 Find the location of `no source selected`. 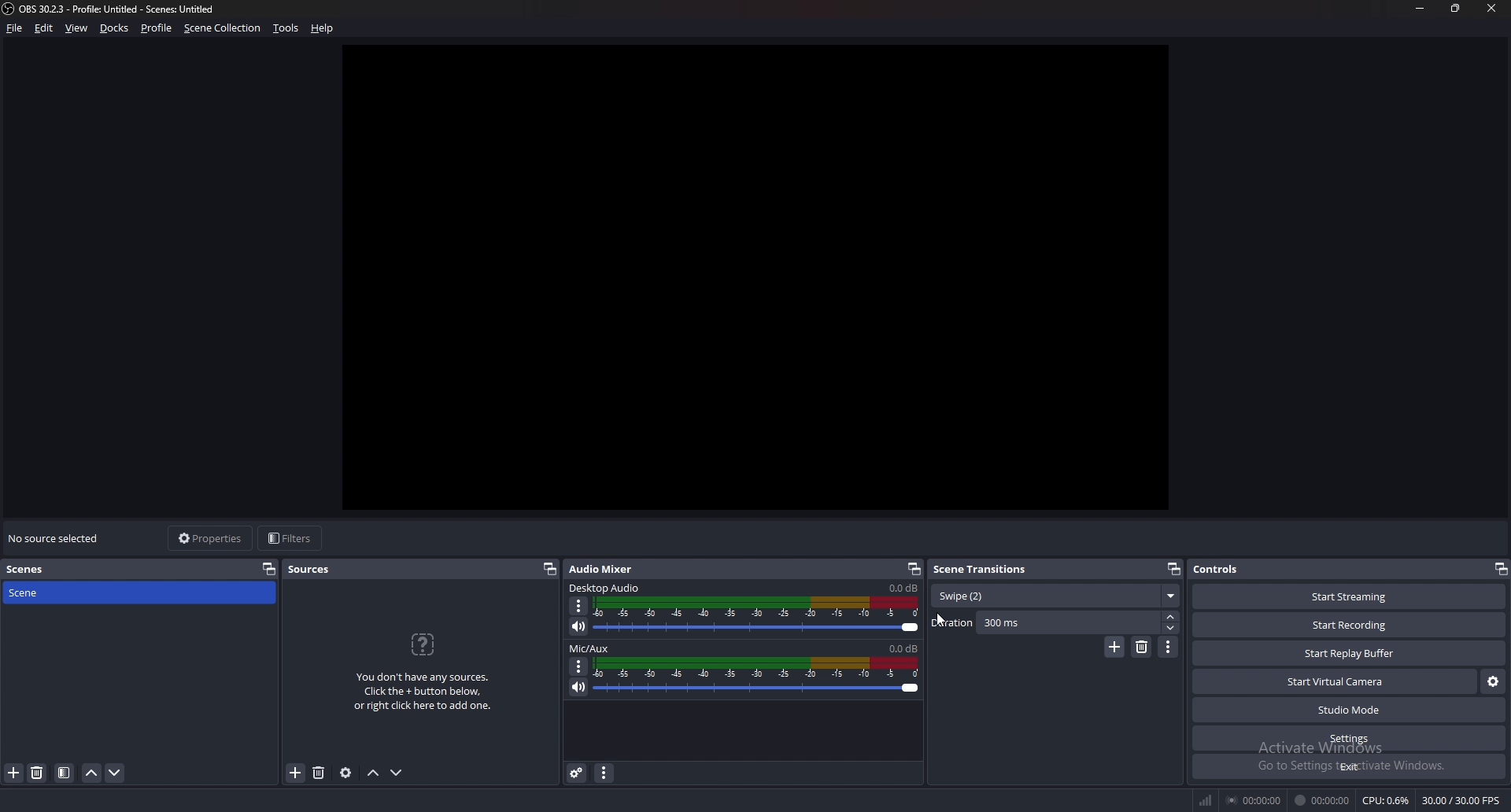

no source selected is located at coordinates (57, 537).